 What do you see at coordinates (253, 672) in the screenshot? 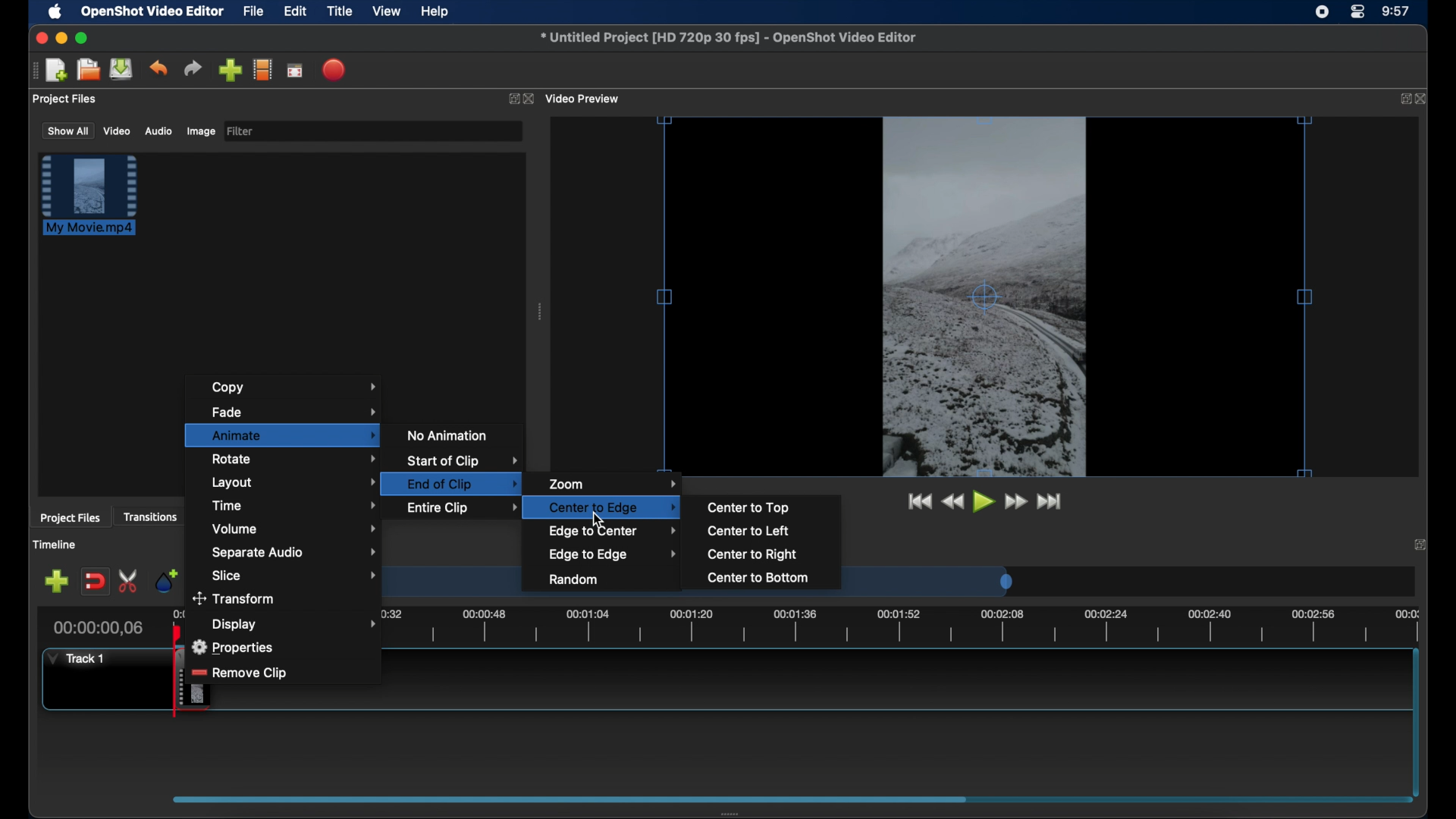
I see `remove clip` at bounding box center [253, 672].